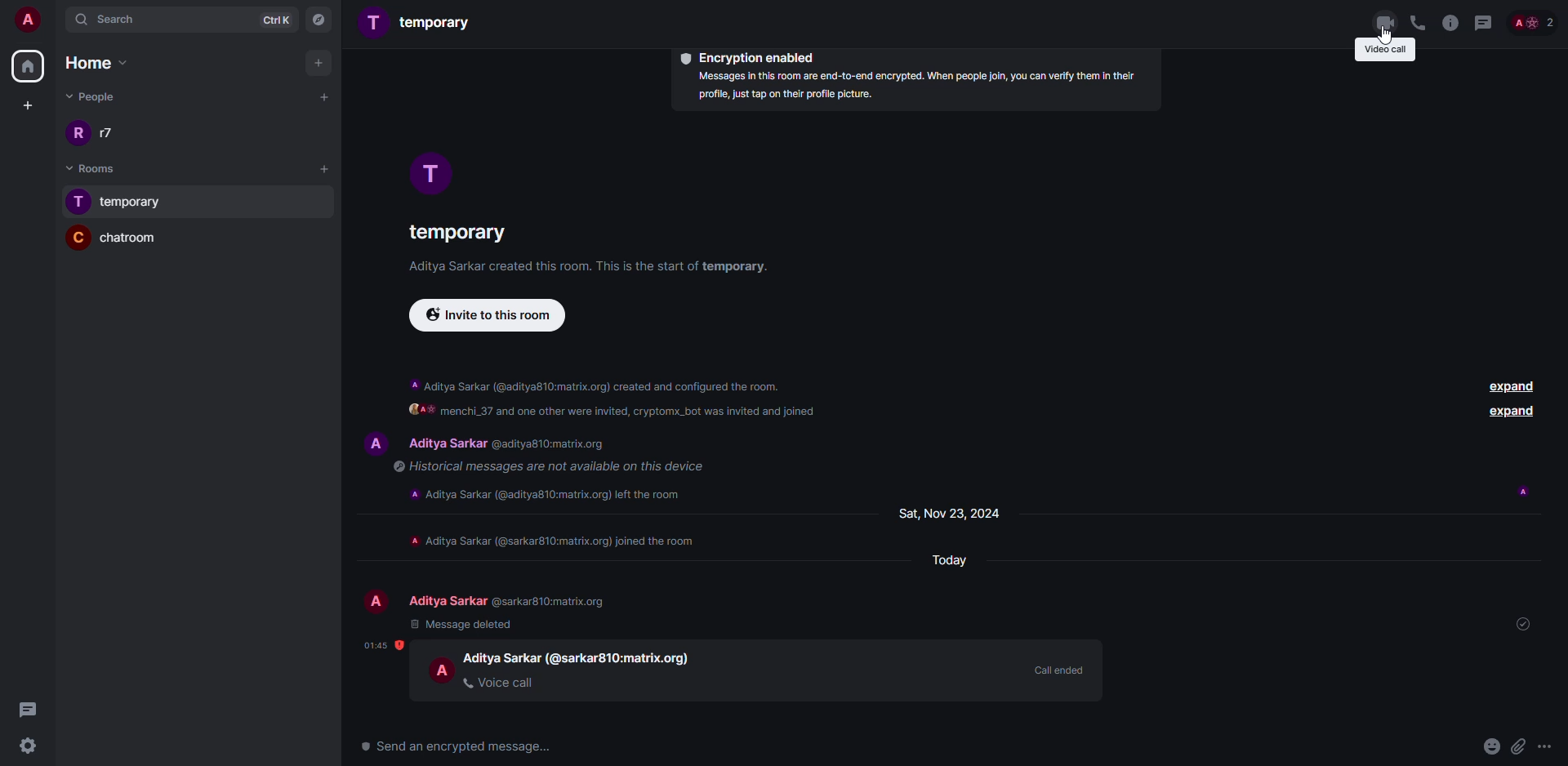 The height and width of the screenshot is (766, 1568). I want to click on people, so click(501, 657).